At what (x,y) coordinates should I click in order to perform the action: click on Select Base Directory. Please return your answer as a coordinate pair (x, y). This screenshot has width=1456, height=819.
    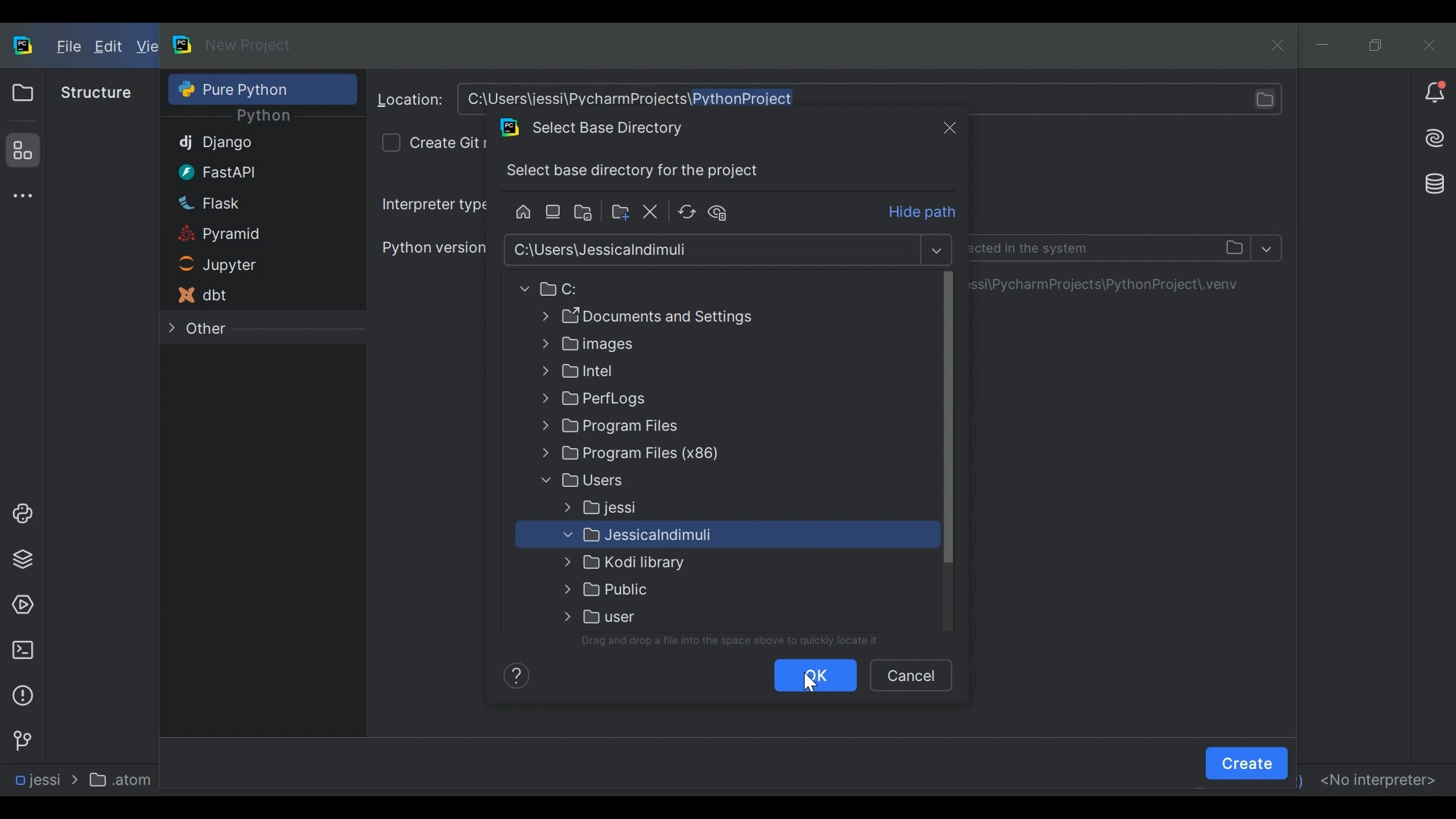
    Looking at the image, I should click on (604, 127).